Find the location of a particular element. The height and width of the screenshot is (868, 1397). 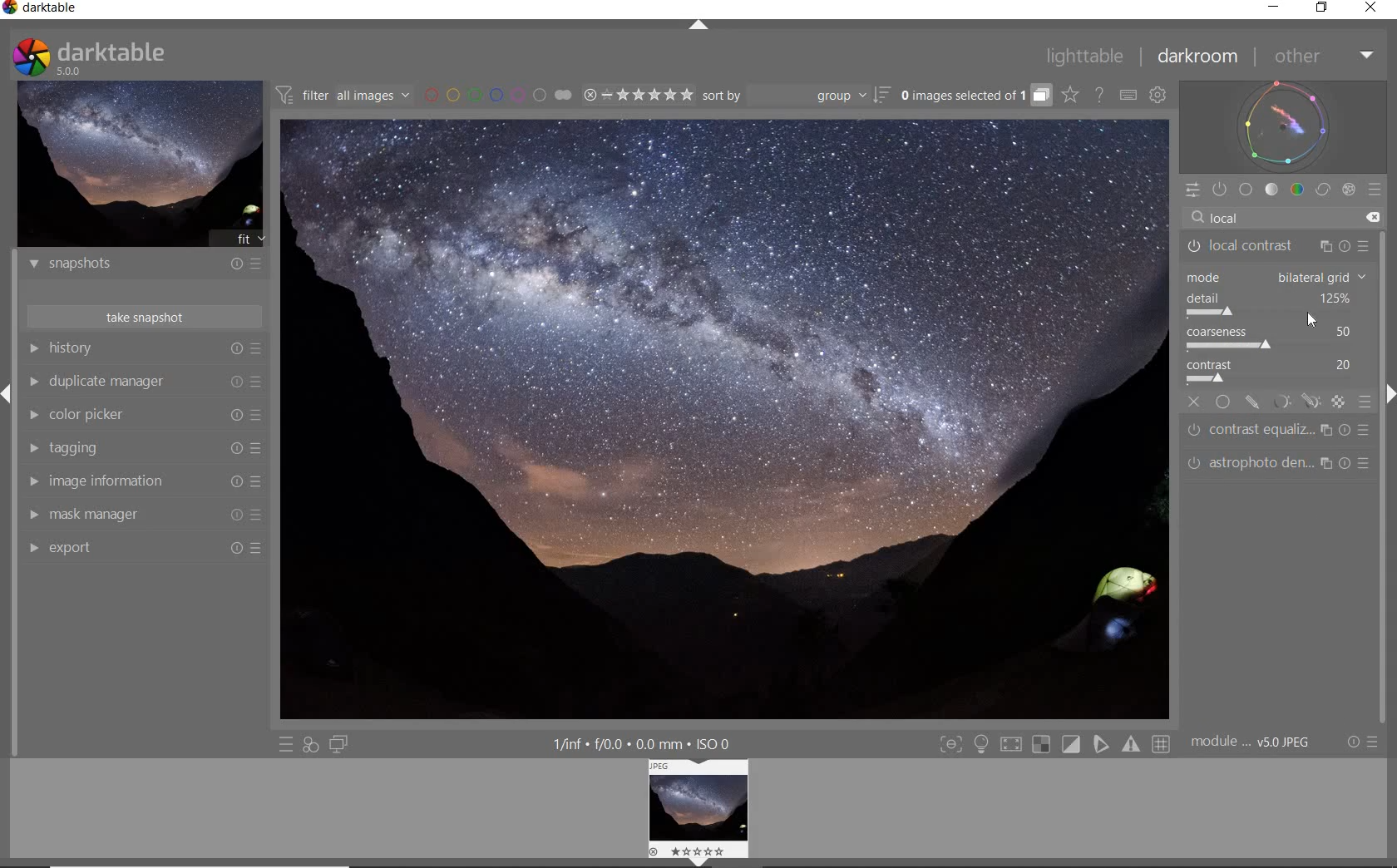

hide bottom menu (shift+ctrl+b) is located at coordinates (697, 862).